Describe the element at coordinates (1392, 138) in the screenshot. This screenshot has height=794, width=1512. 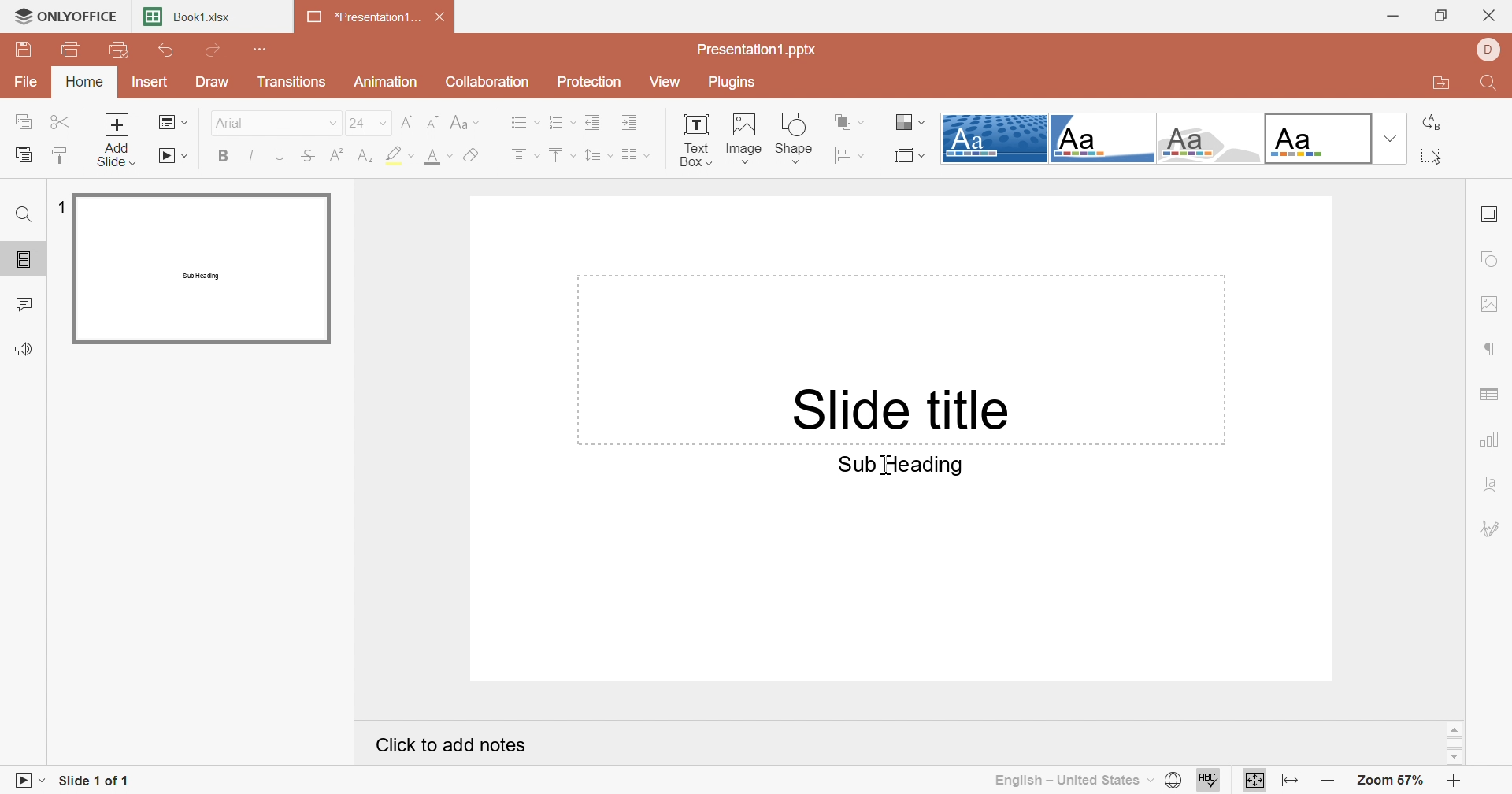
I see `Drop Down` at that location.